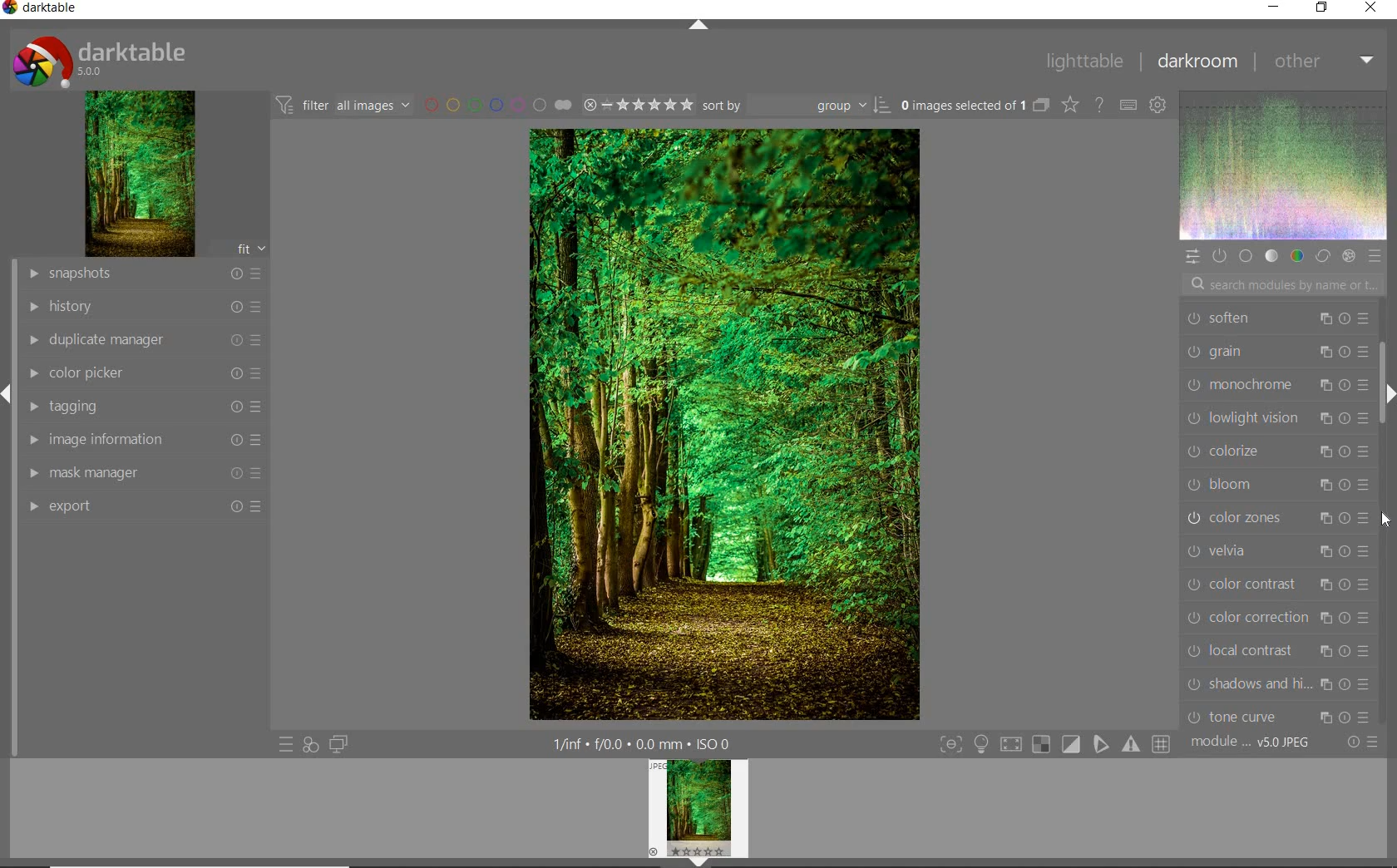 The width and height of the screenshot is (1397, 868). Describe the element at coordinates (1376, 255) in the screenshot. I see `PRESET ` at that location.